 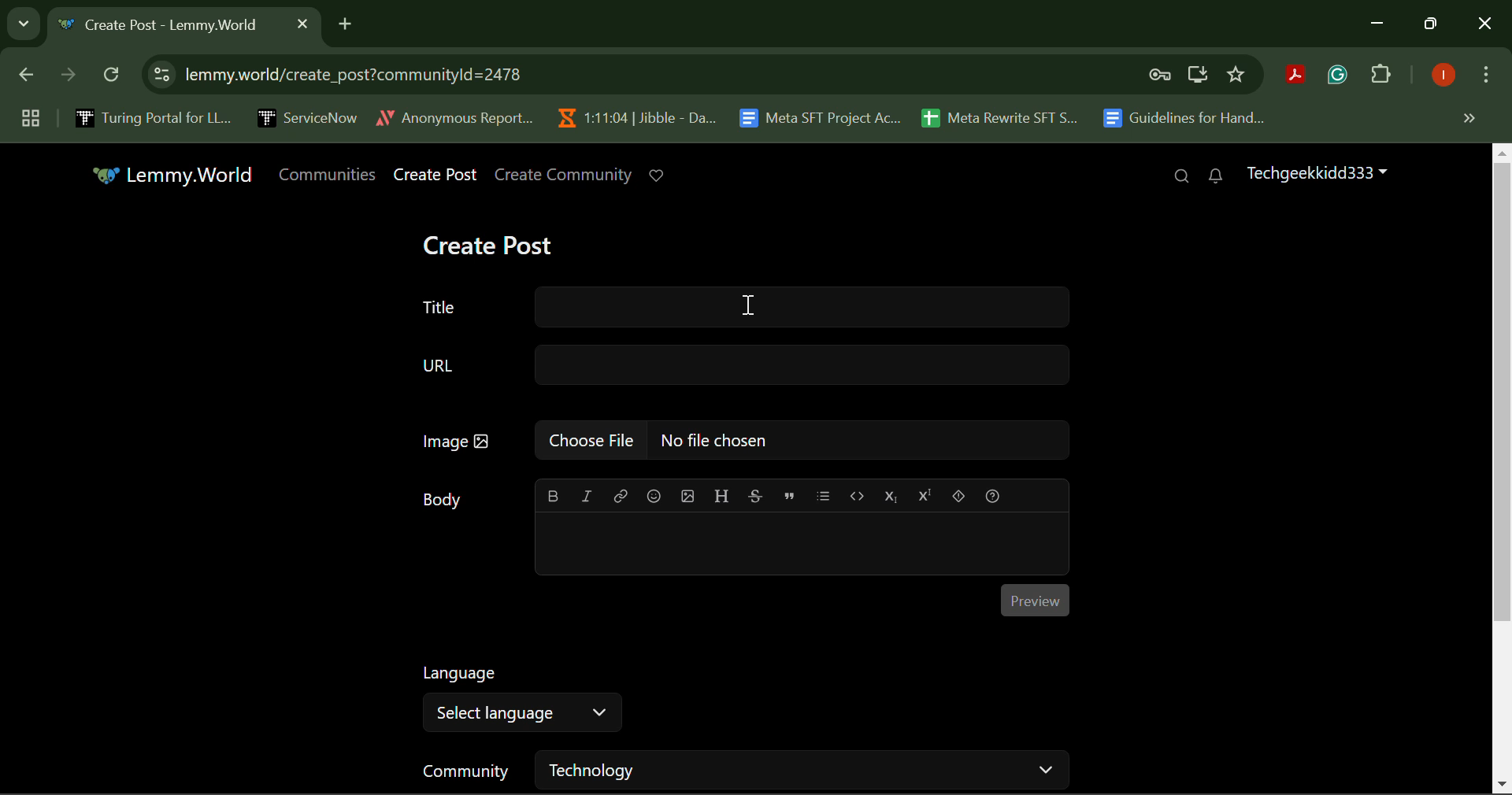 What do you see at coordinates (302, 23) in the screenshot?
I see `Close Tab` at bounding box center [302, 23].